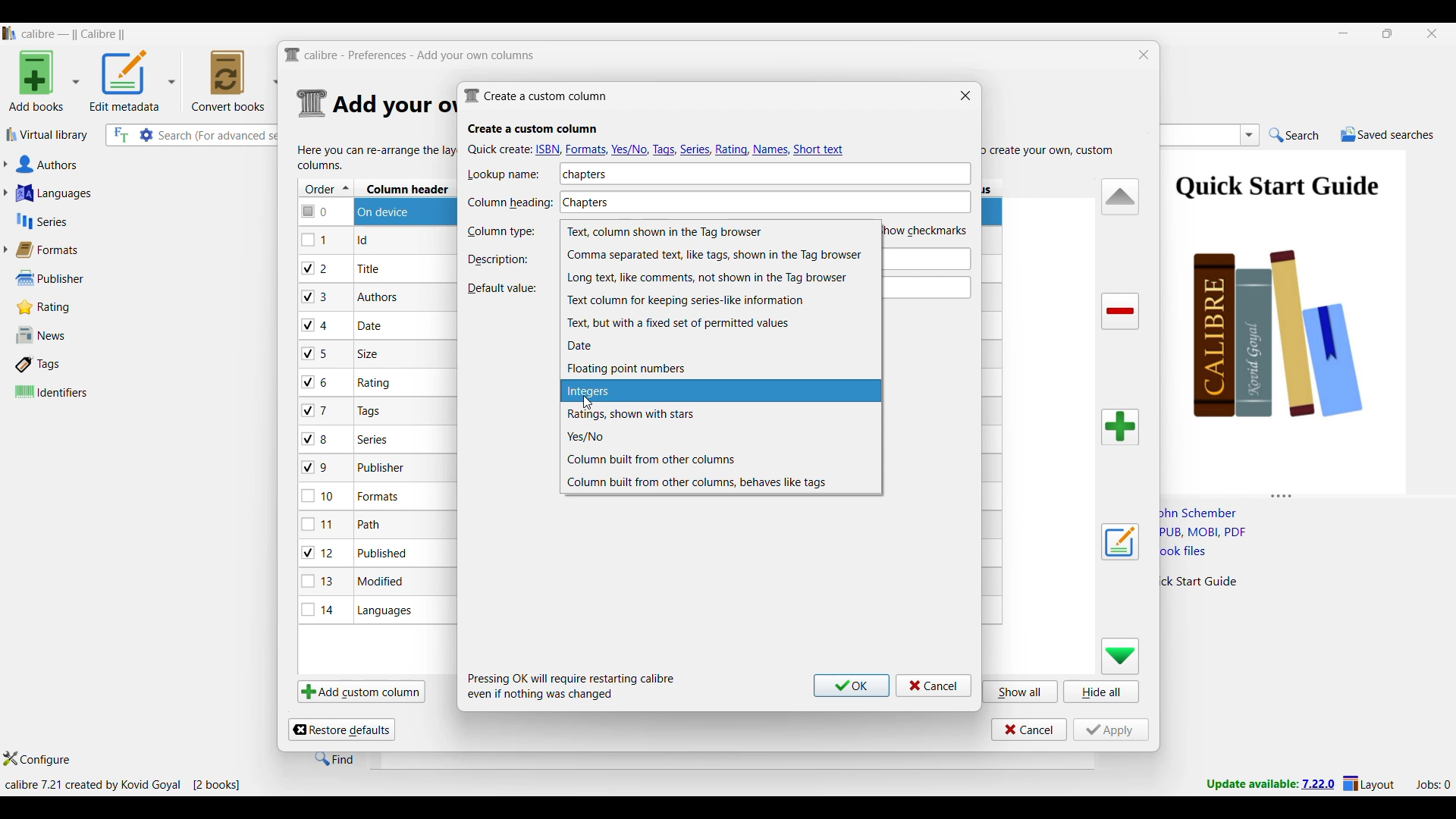  Describe the element at coordinates (1389, 33) in the screenshot. I see `Show interface in a smaller tab` at that location.